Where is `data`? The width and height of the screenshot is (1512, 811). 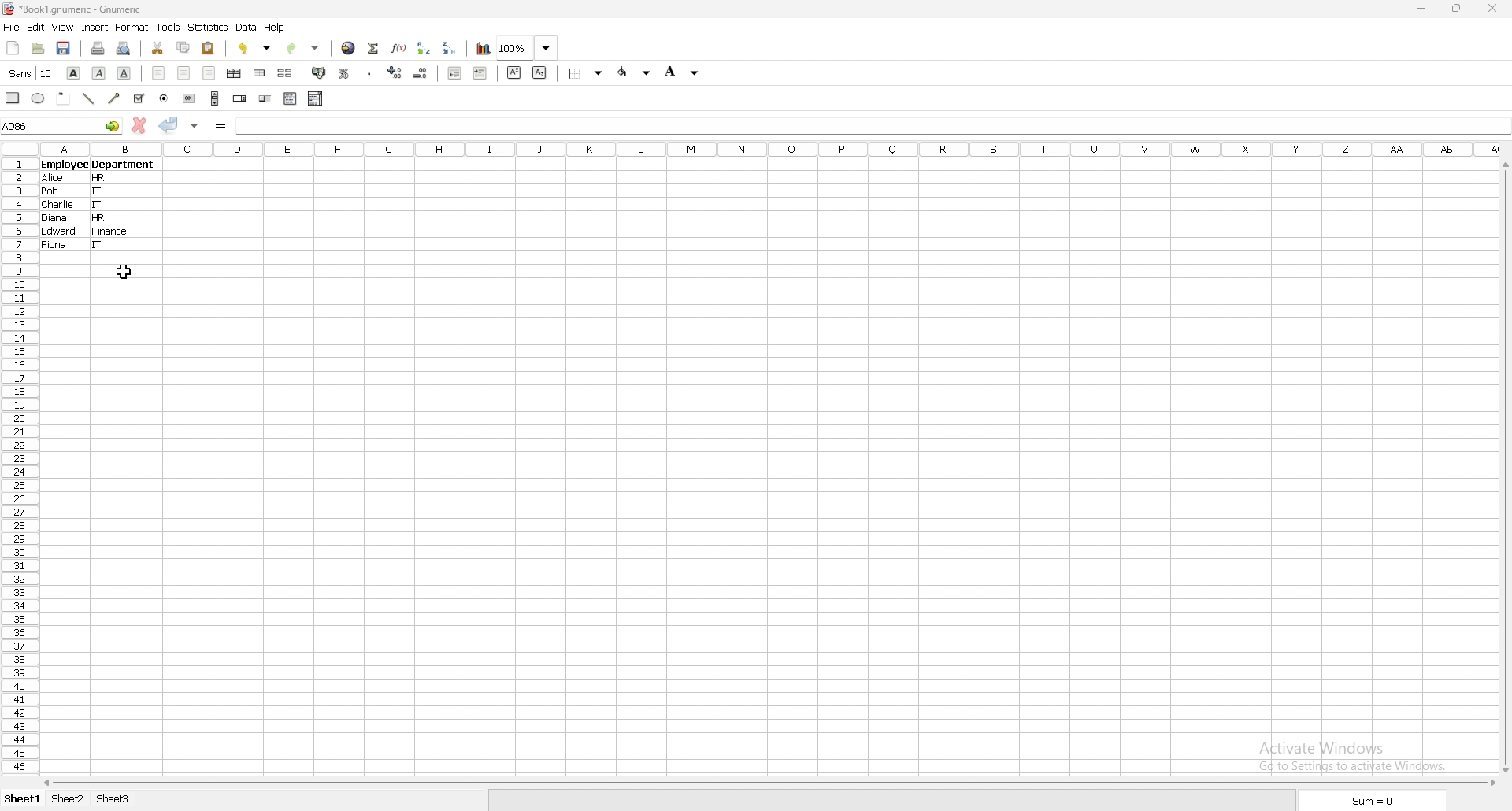 data is located at coordinates (248, 27).